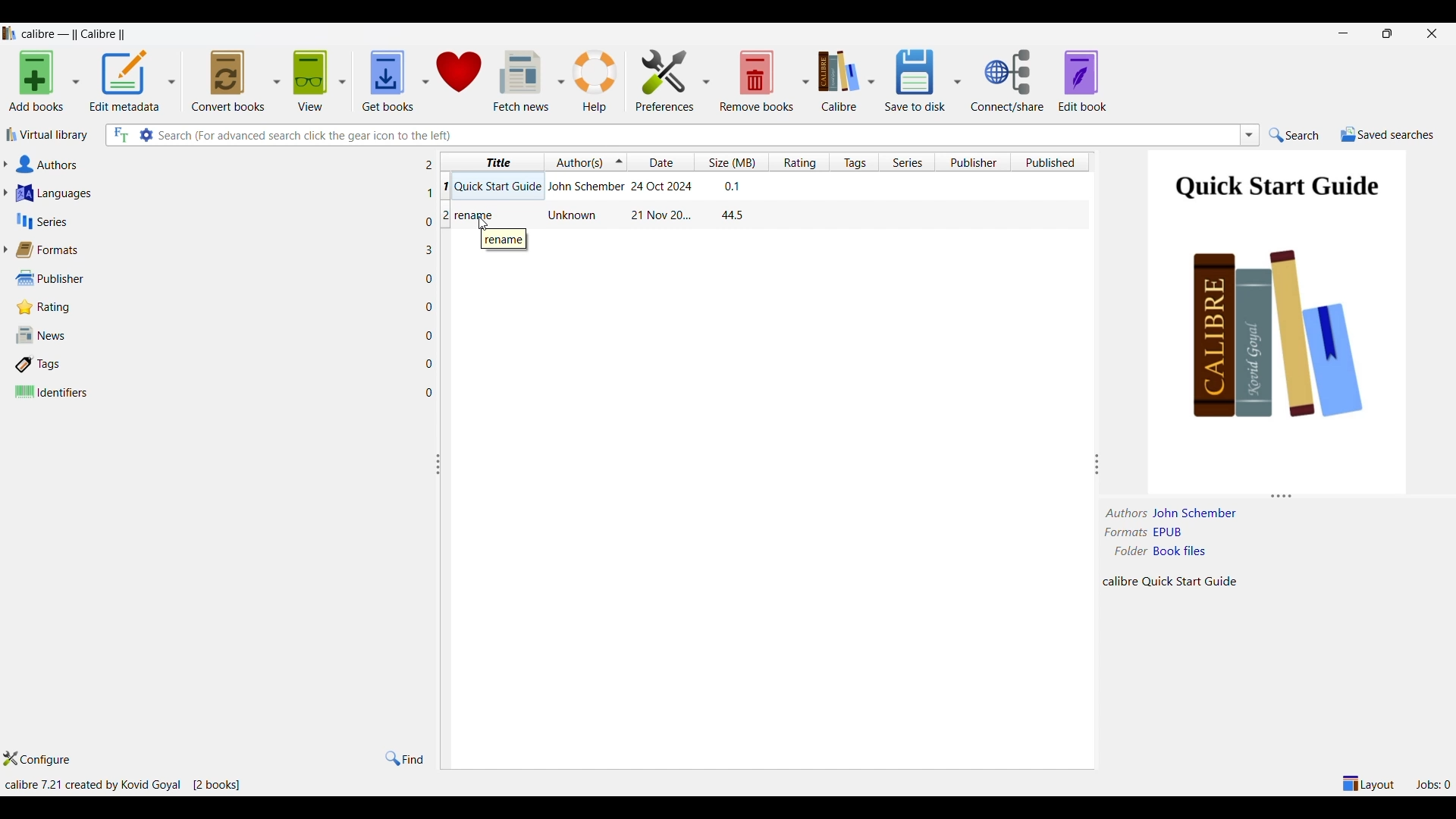 This screenshot has height=819, width=1456. I want to click on Add books, so click(36, 81).